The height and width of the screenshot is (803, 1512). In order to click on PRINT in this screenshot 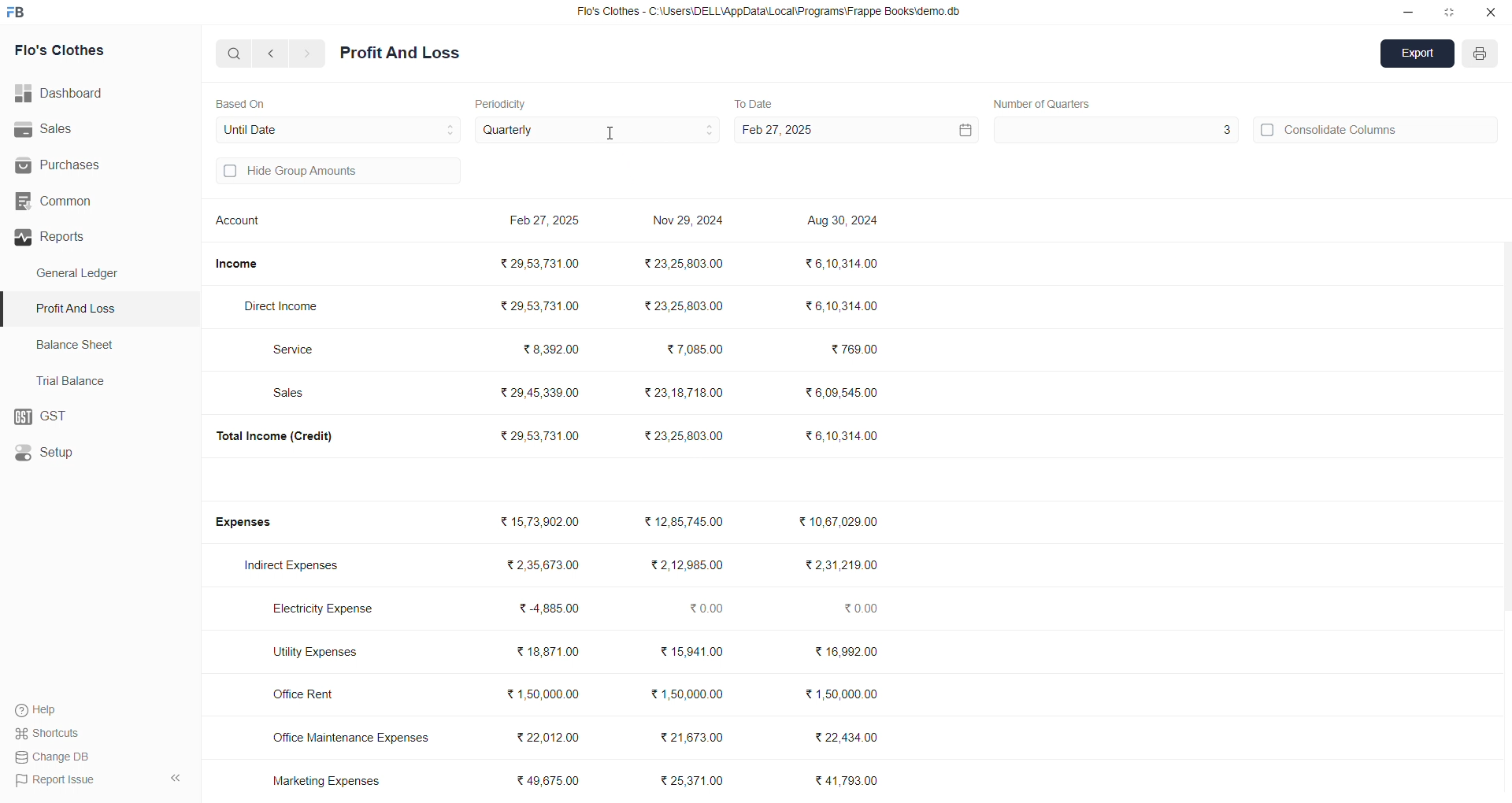, I will do `click(1480, 56)`.